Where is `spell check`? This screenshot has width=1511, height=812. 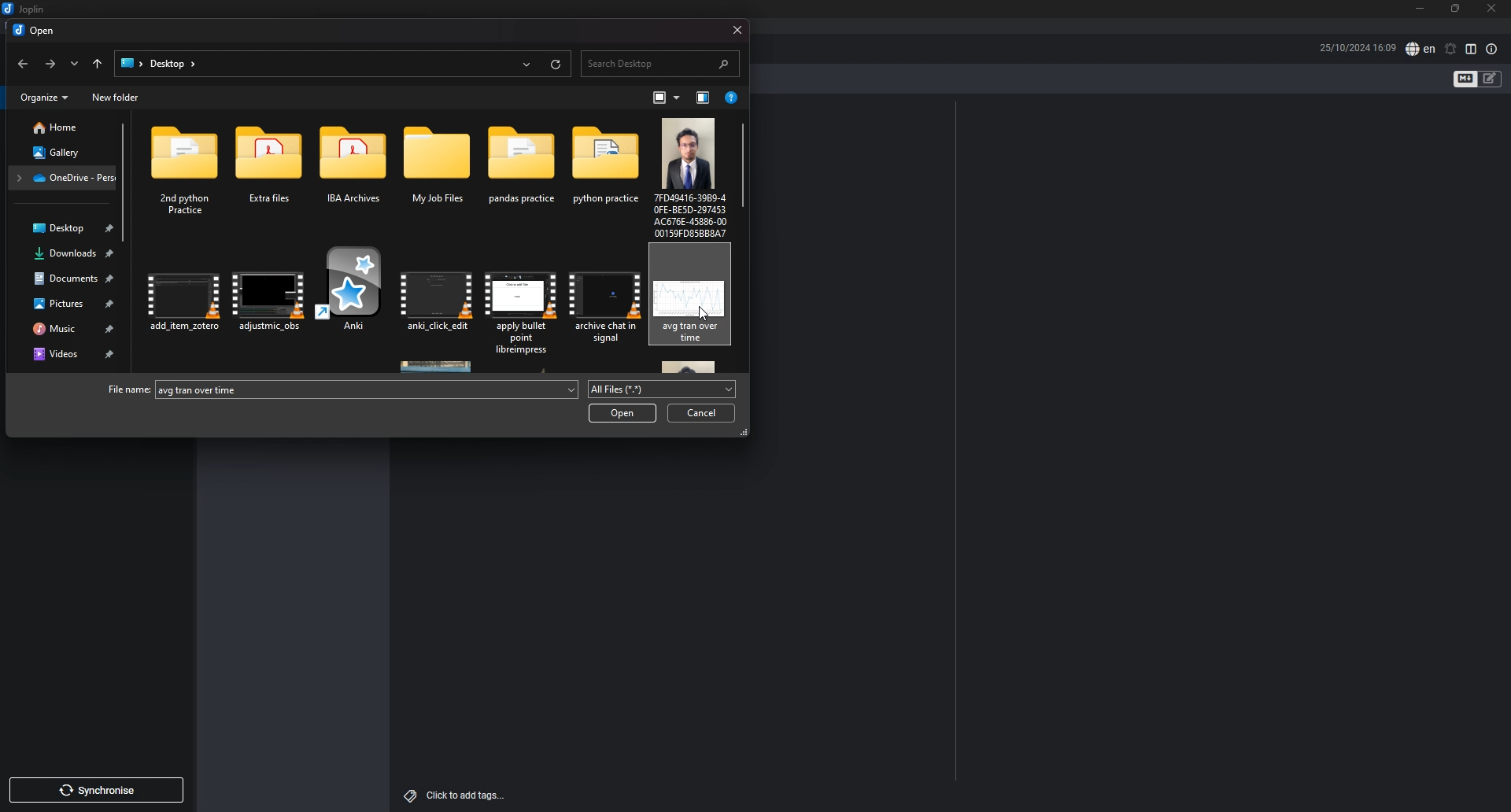
spell check is located at coordinates (1421, 49).